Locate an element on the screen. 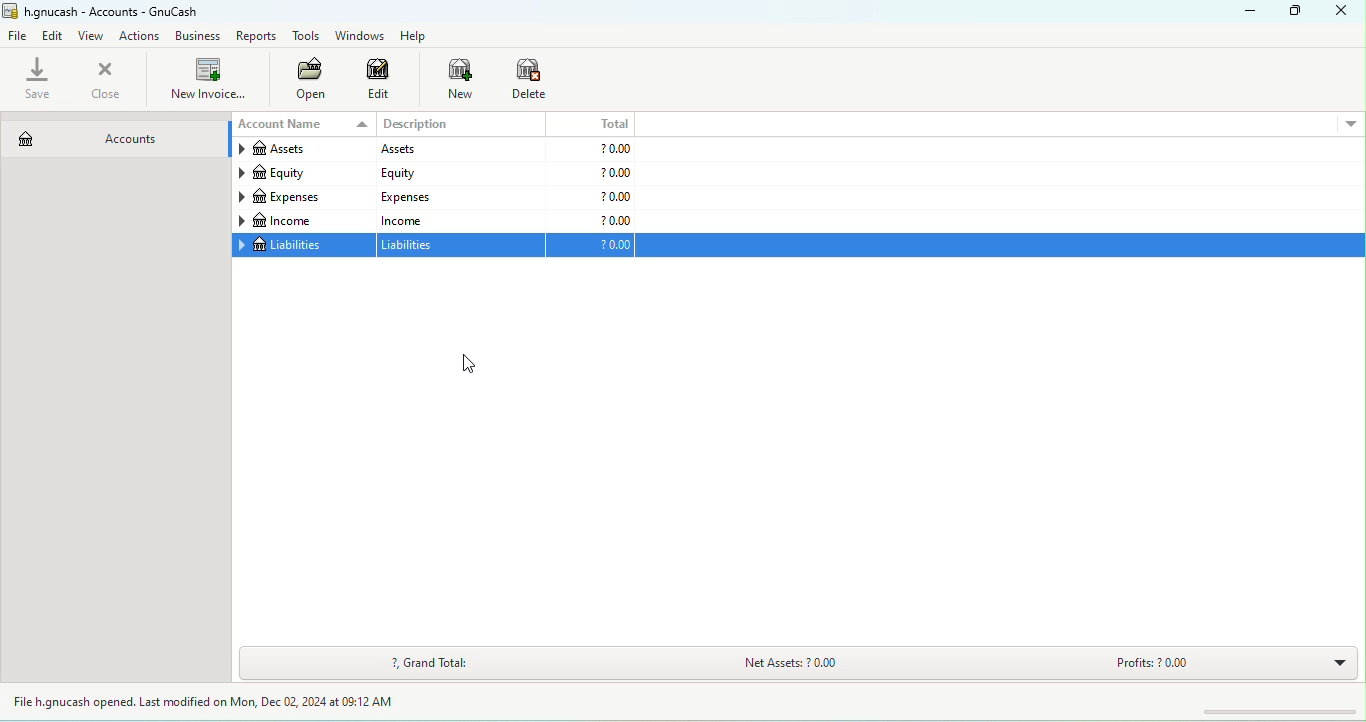 The image size is (1366, 722). cursor is located at coordinates (468, 364).